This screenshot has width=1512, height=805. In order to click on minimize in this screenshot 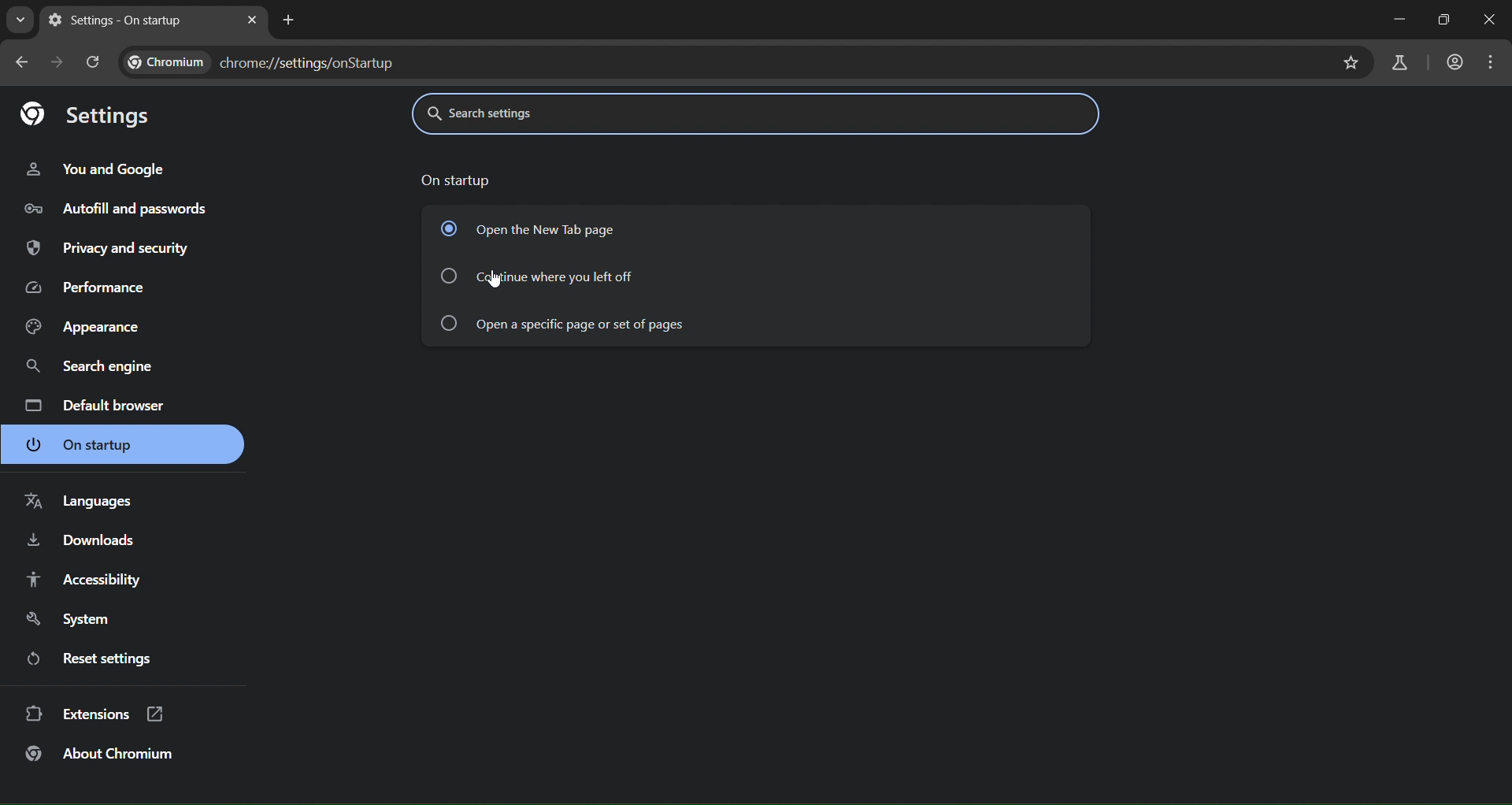, I will do `click(1398, 19)`.